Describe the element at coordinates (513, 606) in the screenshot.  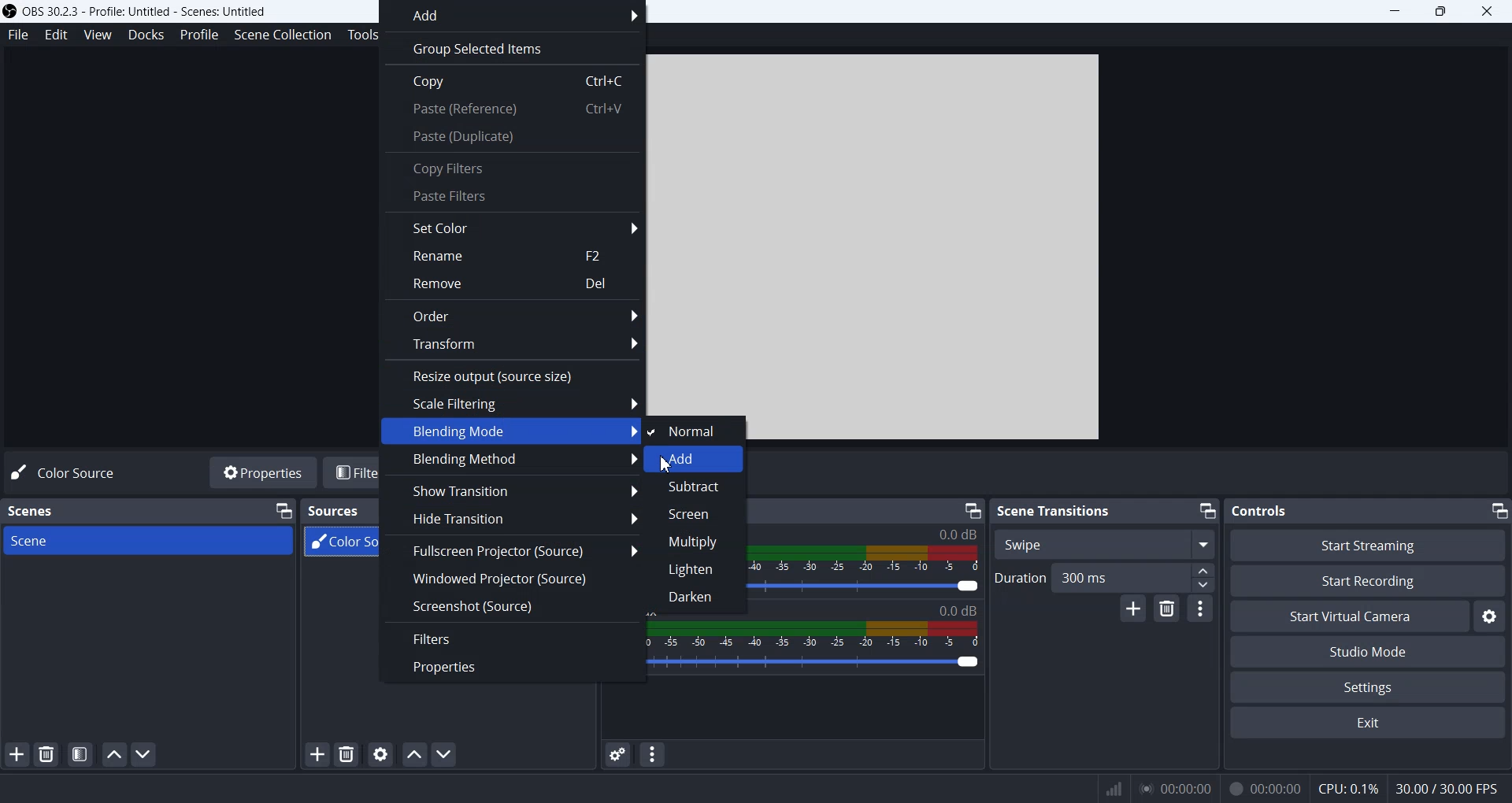
I see `Screenshot (Source)` at that location.